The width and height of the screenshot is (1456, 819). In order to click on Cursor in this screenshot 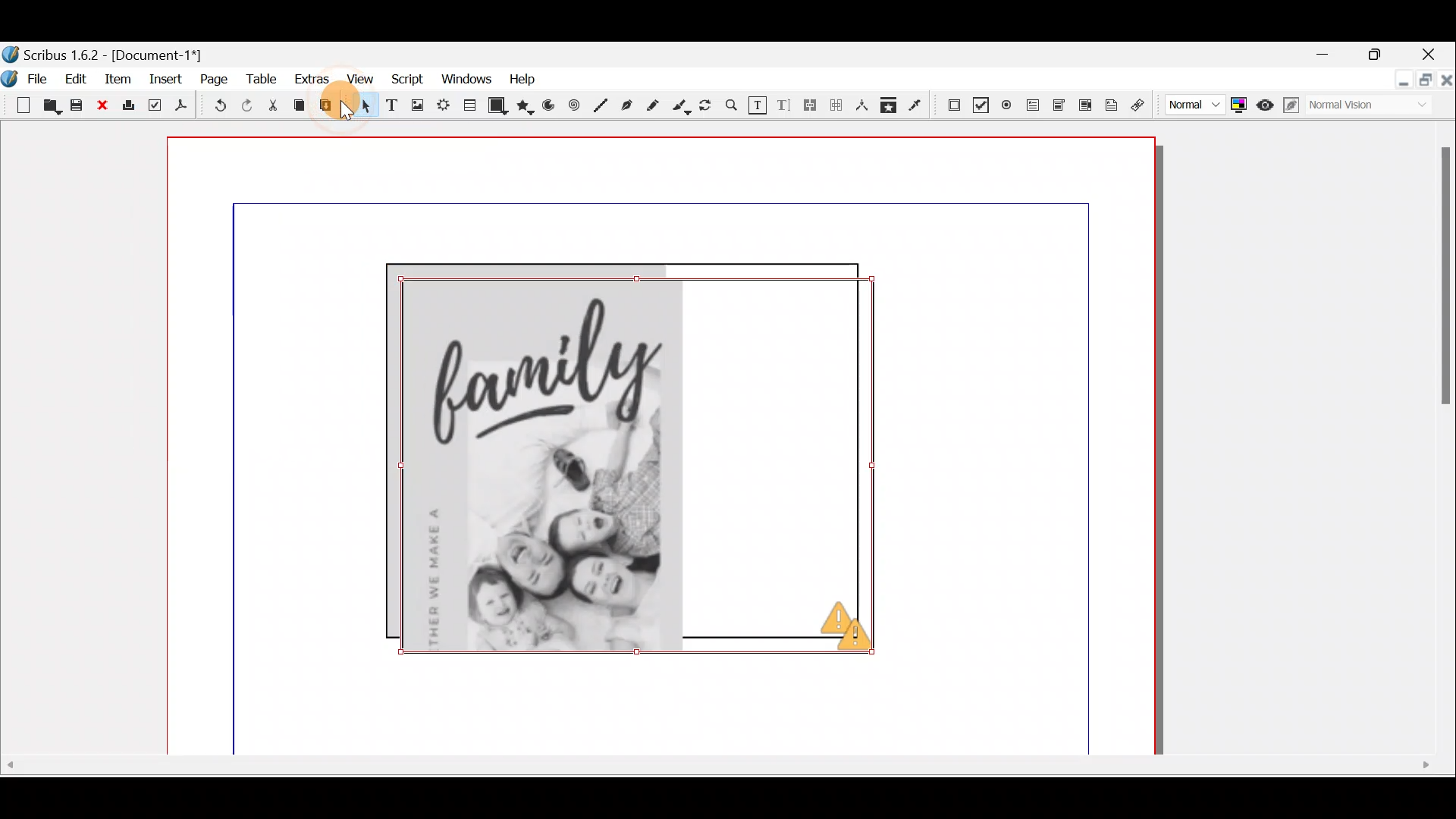, I will do `click(124, 86)`.